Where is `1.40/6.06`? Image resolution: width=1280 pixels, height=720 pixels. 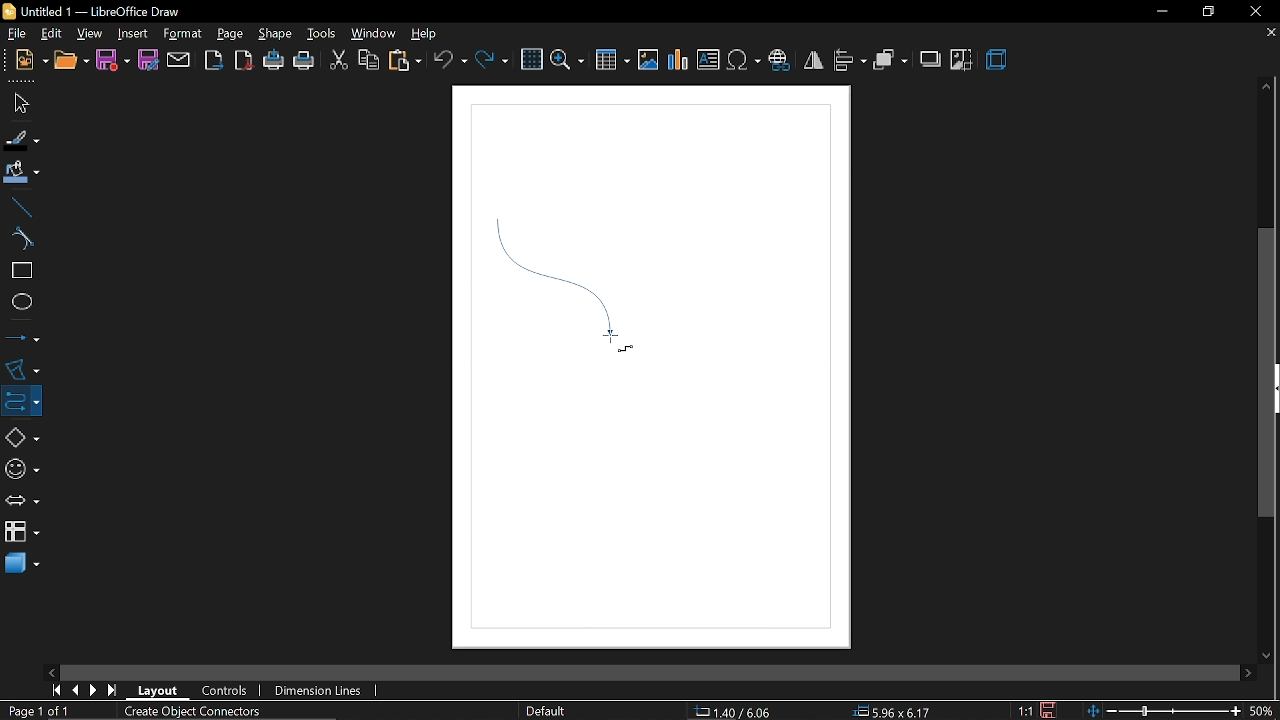 1.40/6.06 is located at coordinates (740, 712).